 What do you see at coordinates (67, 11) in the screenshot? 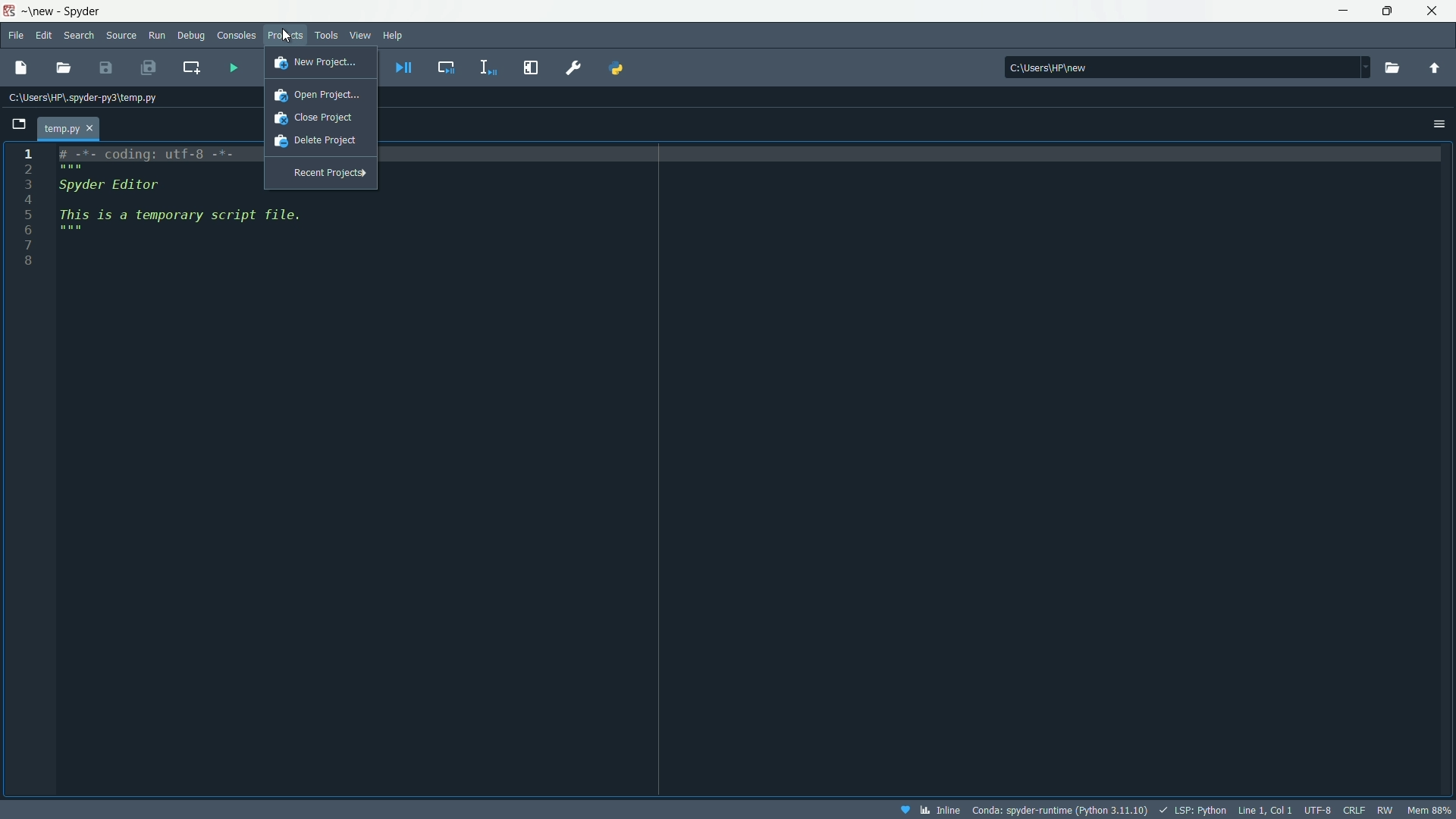
I see `App name` at bounding box center [67, 11].